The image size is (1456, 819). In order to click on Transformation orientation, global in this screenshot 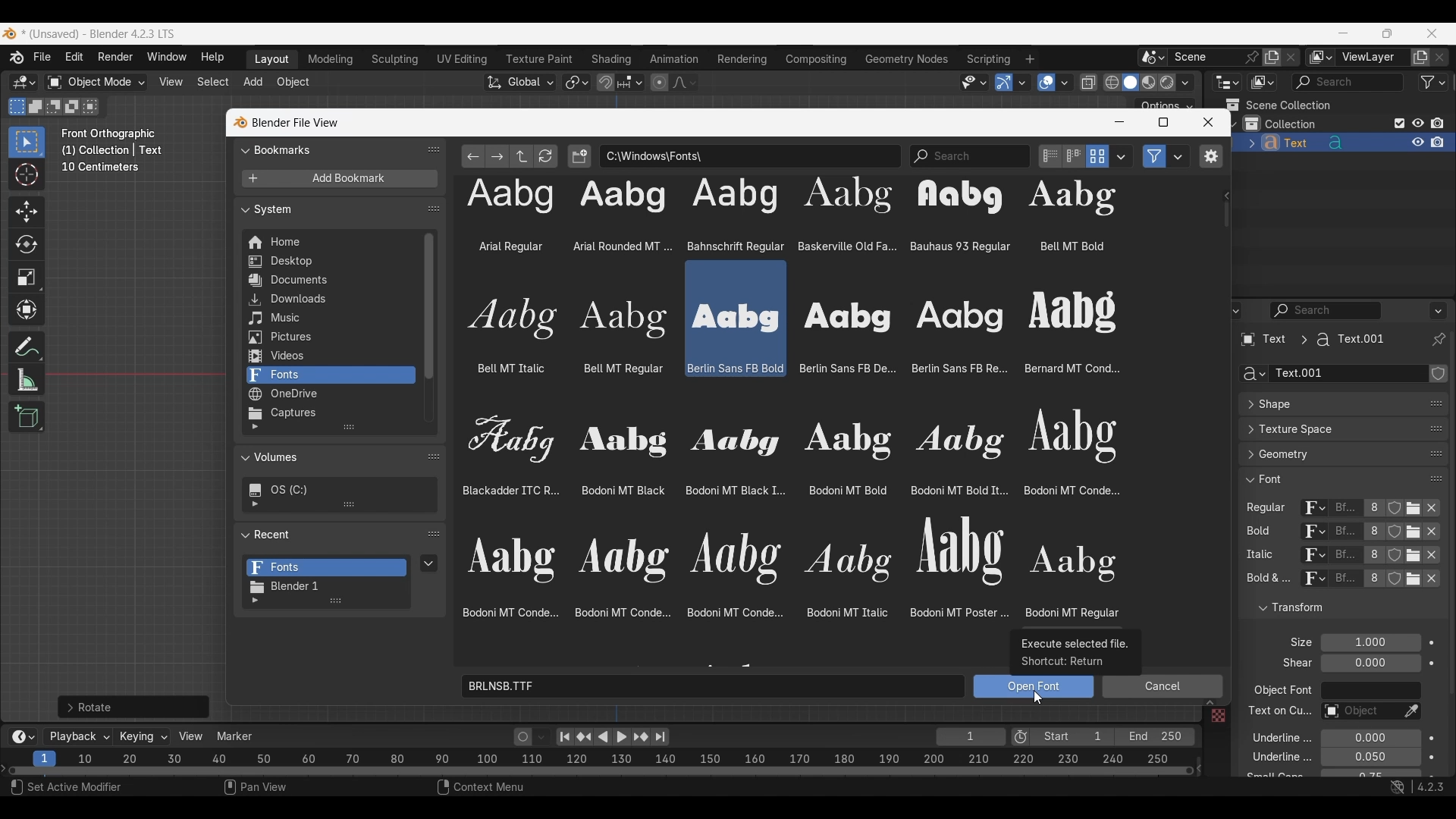, I will do `click(520, 83)`.